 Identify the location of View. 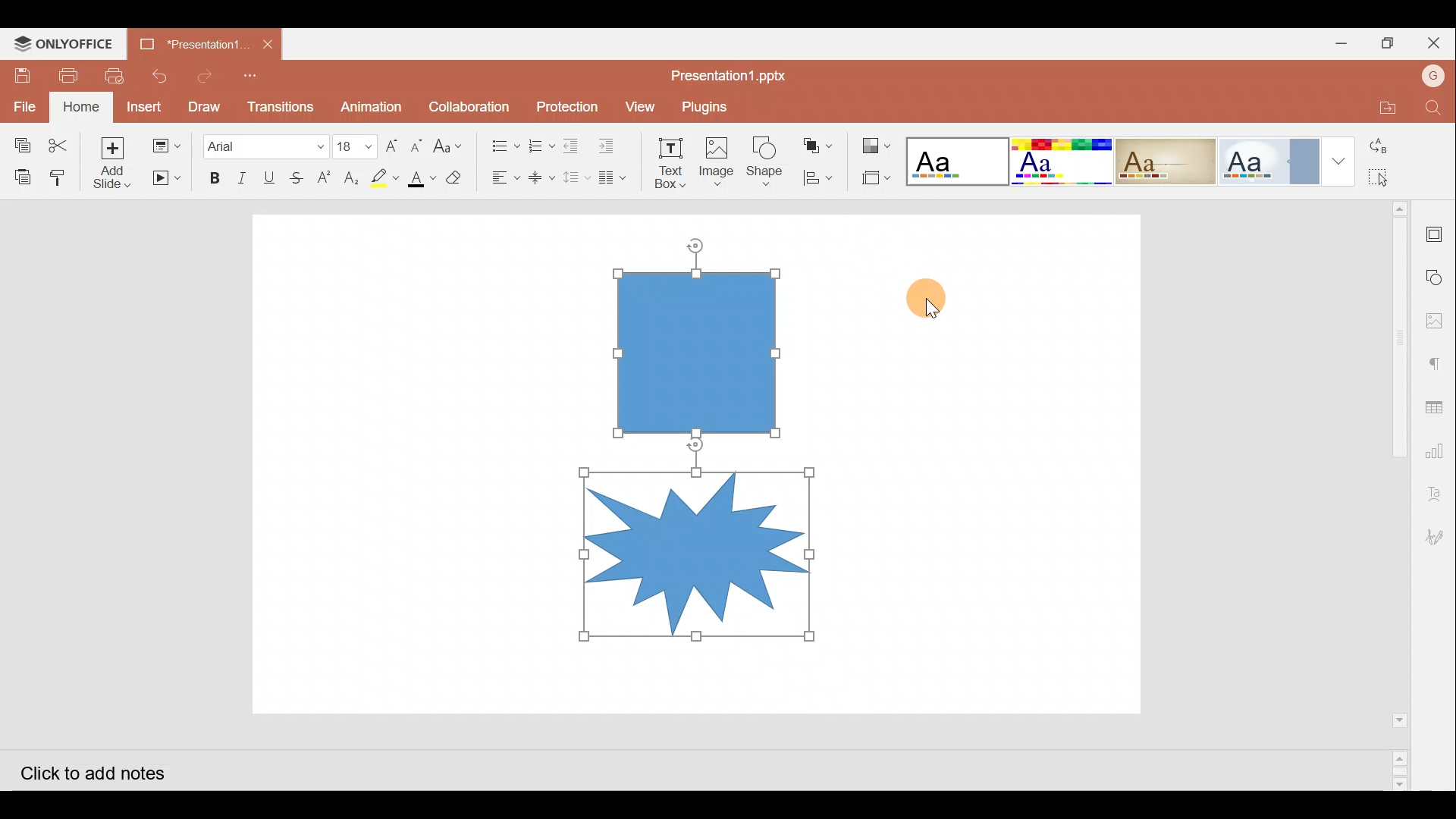
(638, 105).